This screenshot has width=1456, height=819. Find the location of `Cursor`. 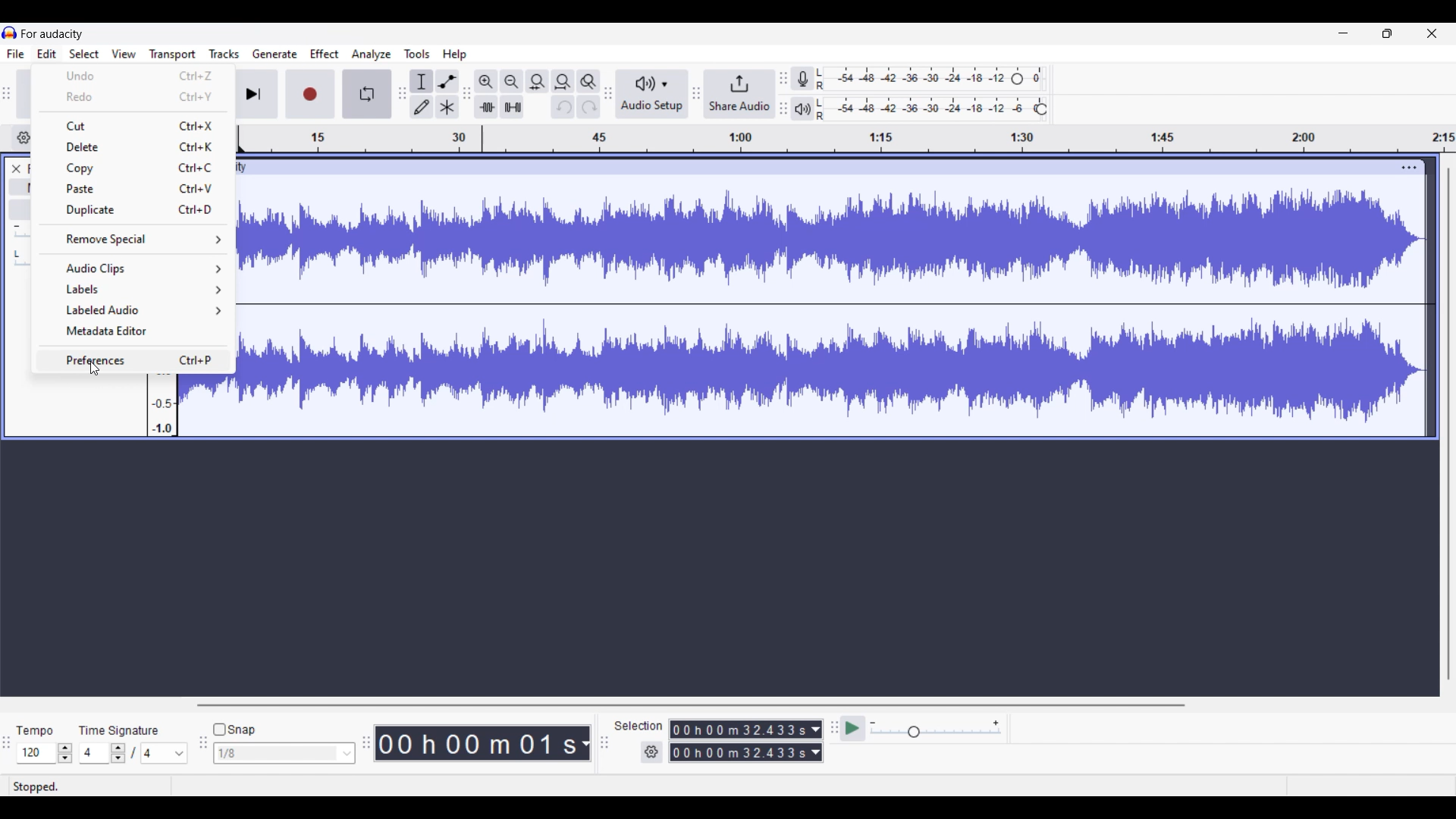

Cursor is located at coordinates (95, 369).